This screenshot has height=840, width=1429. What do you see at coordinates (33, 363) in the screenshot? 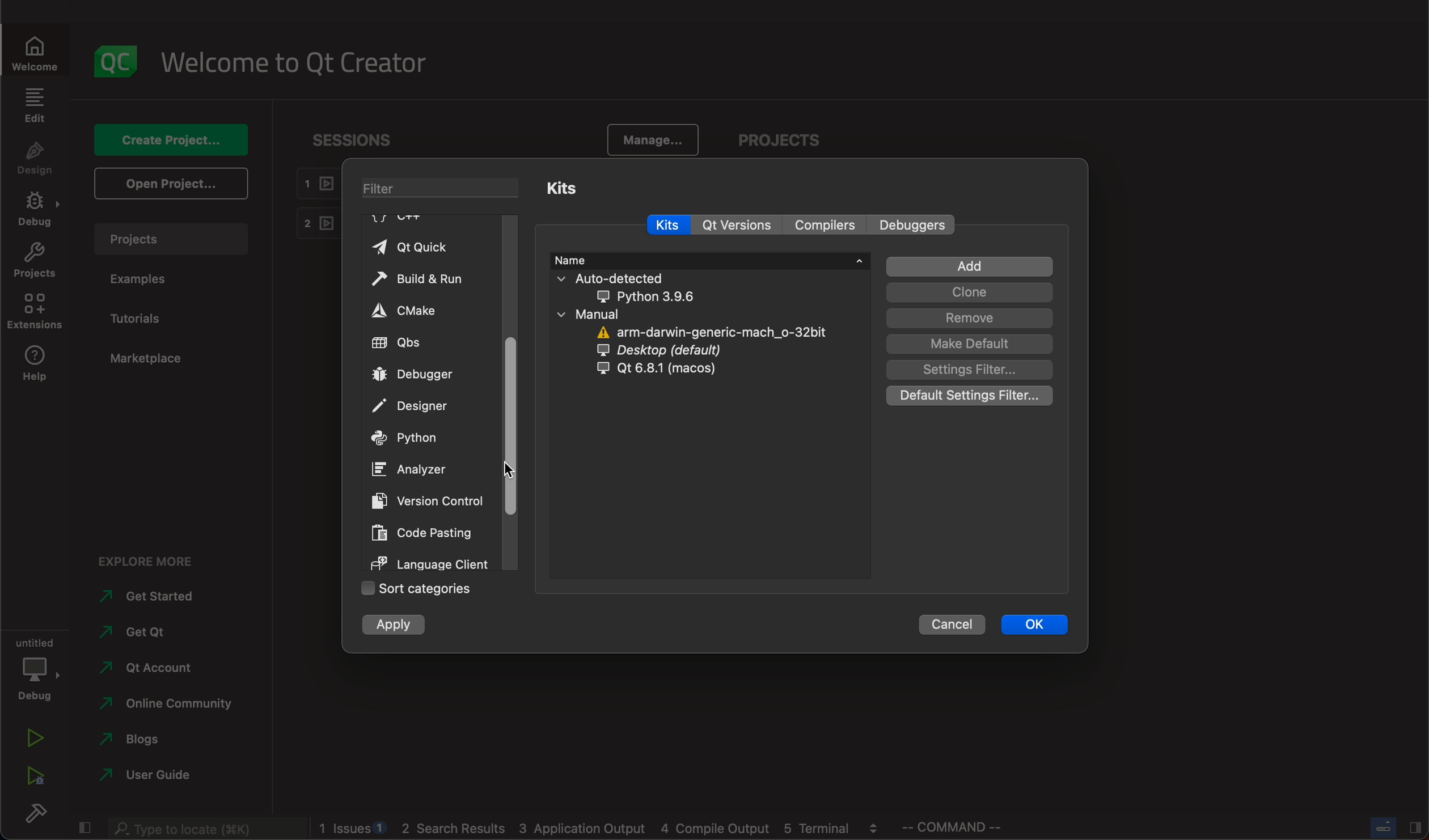
I see `help` at bounding box center [33, 363].